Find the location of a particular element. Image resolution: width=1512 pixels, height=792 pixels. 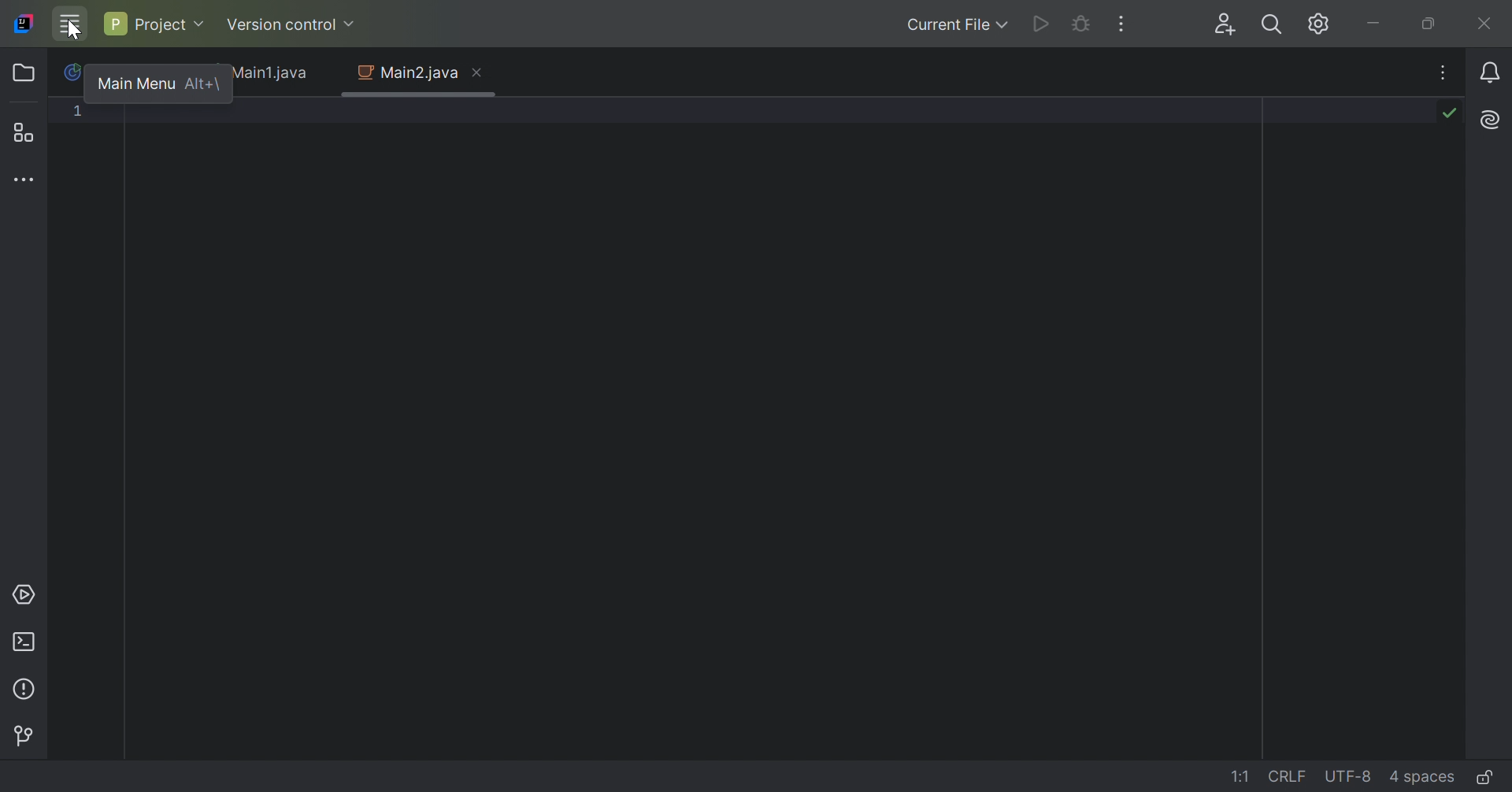

CRLF is located at coordinates (1289, 775).